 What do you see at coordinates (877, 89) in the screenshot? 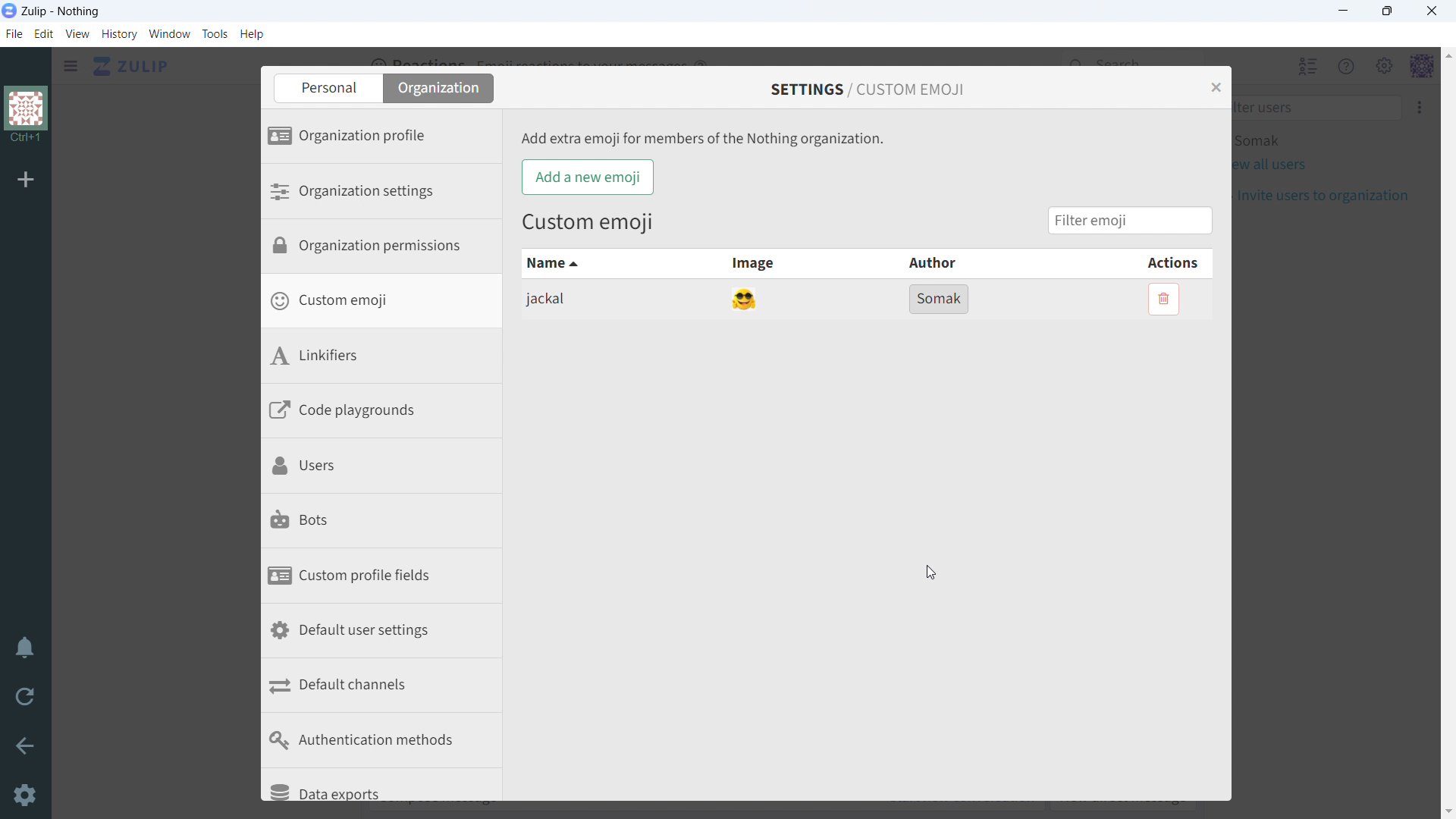
I see `settings/custom emoji` at bounding box center [877, 89].